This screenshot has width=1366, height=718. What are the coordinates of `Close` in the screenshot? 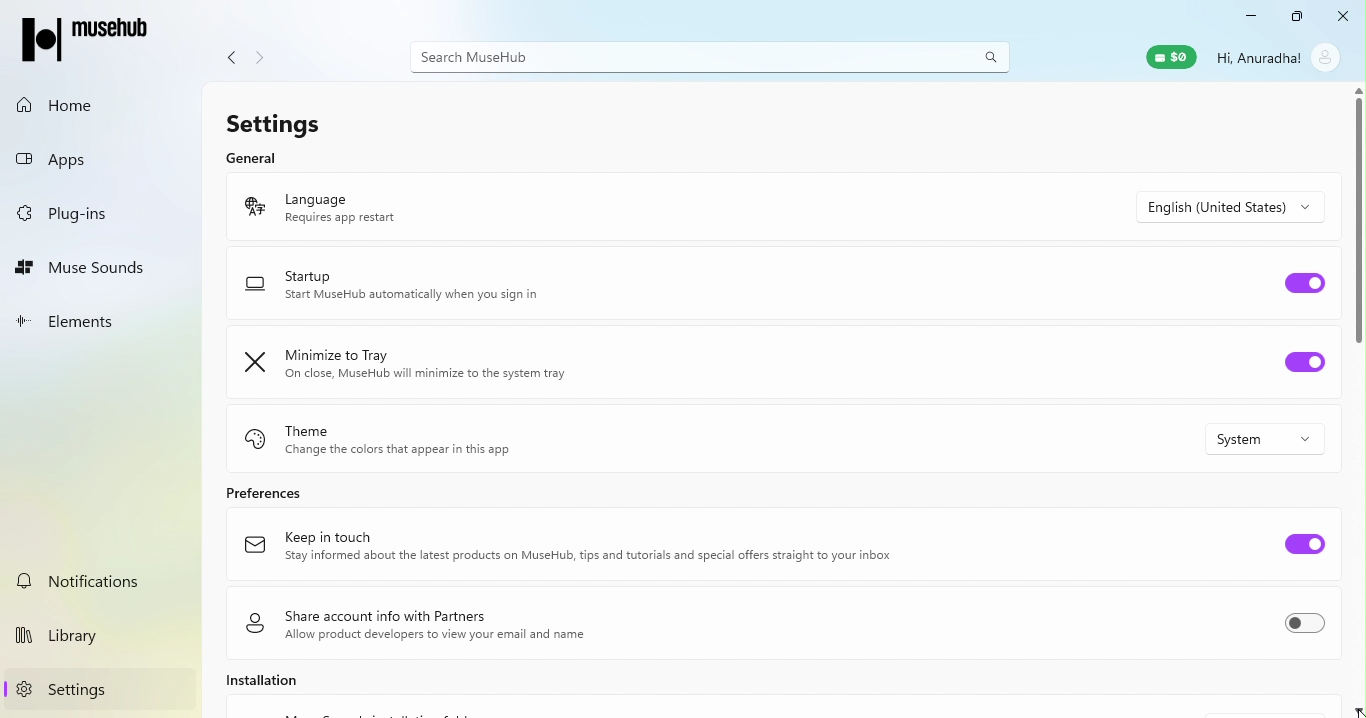 It's located at (1339, 17).